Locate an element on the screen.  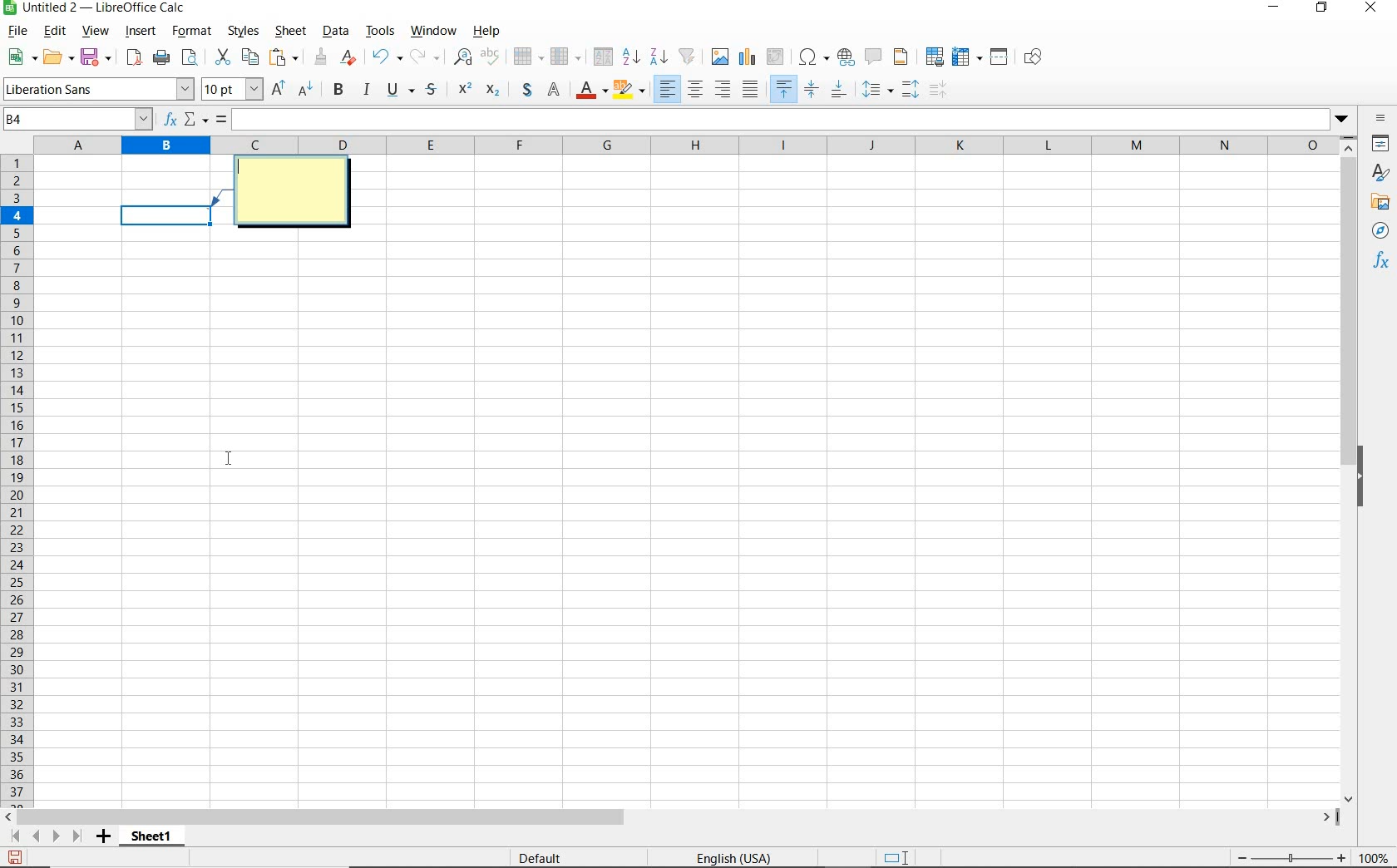
show draw functions is located at coordinates (1036, 58).